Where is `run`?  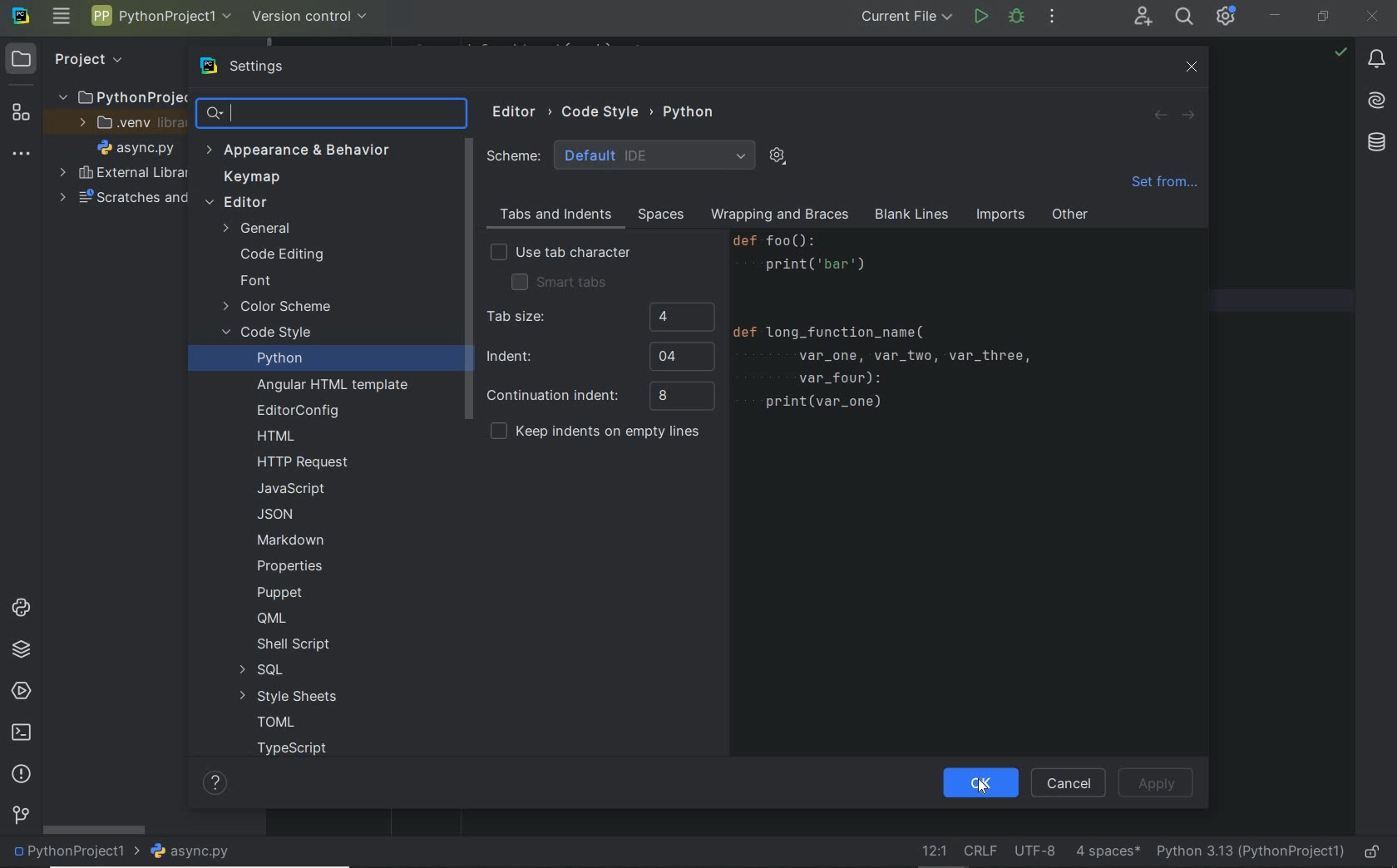 run is located at coordinates (980, 18).